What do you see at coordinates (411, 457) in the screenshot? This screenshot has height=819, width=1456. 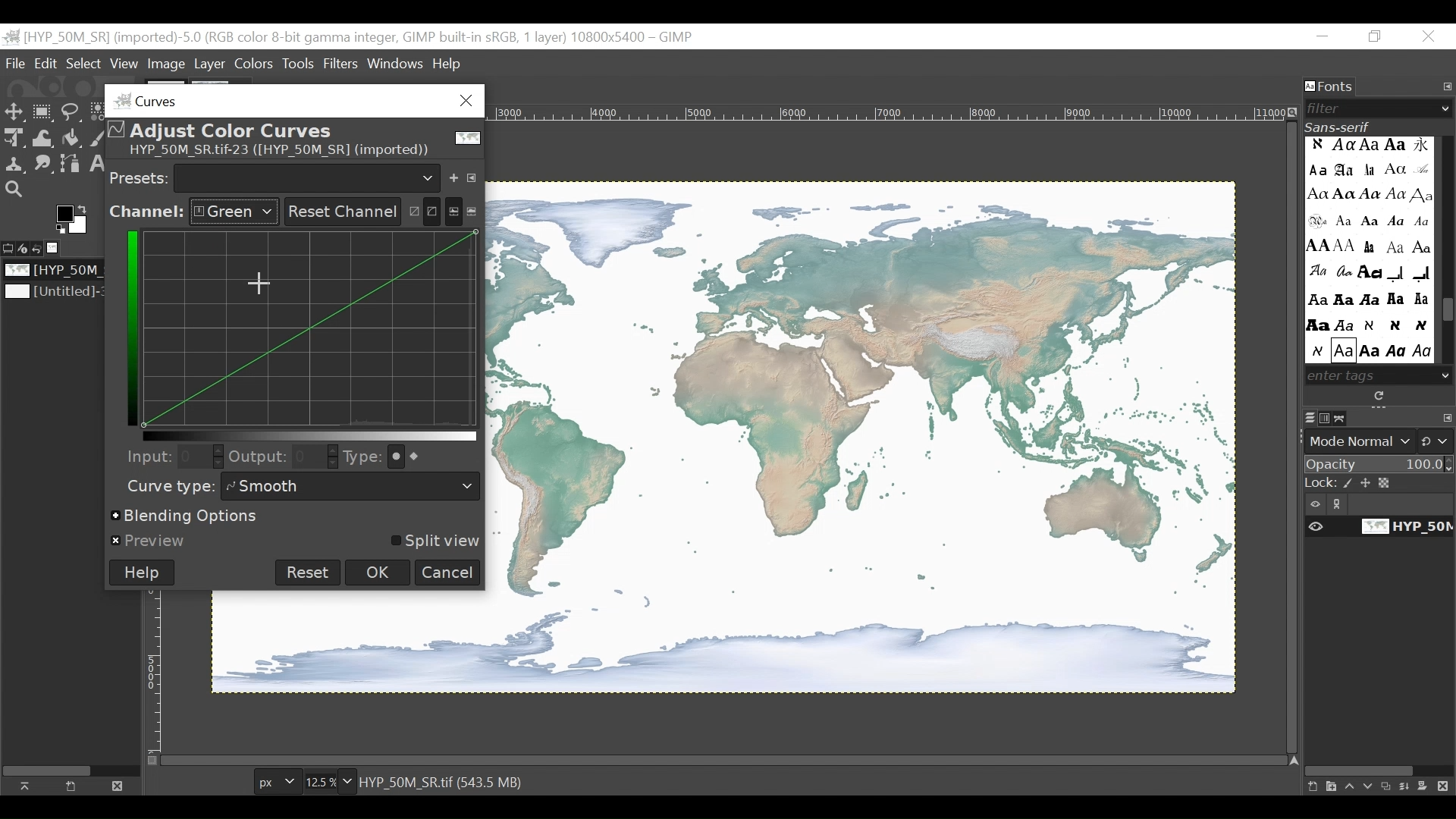 I see `Curve Type Options` at bounding box center [411, 457].